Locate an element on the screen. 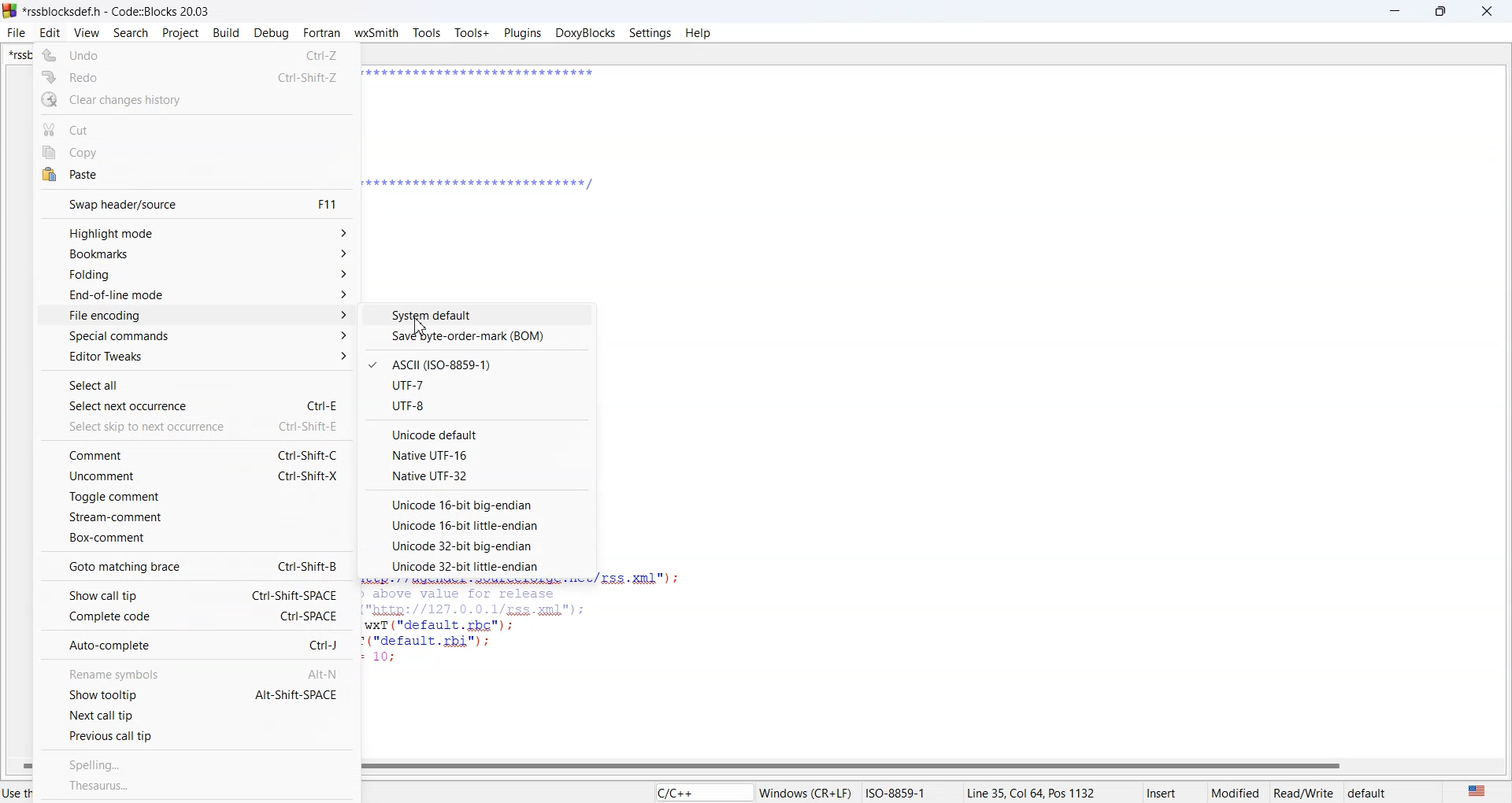 The width and height of the screenshot is (1512, 803). Unicode default is located at coordinates (480, 432).